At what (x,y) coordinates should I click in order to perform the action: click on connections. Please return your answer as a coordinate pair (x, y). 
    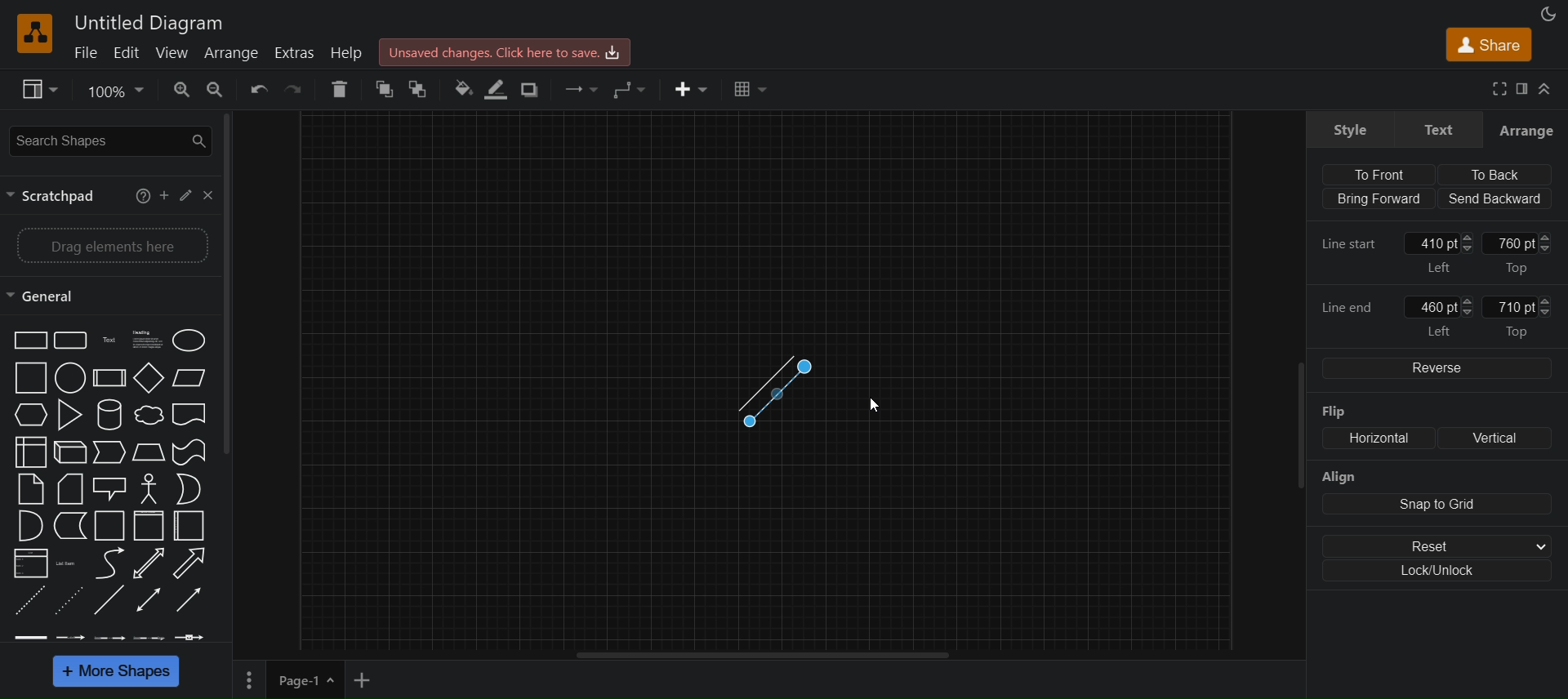
    Looking at the image, I should click on (580, 87).